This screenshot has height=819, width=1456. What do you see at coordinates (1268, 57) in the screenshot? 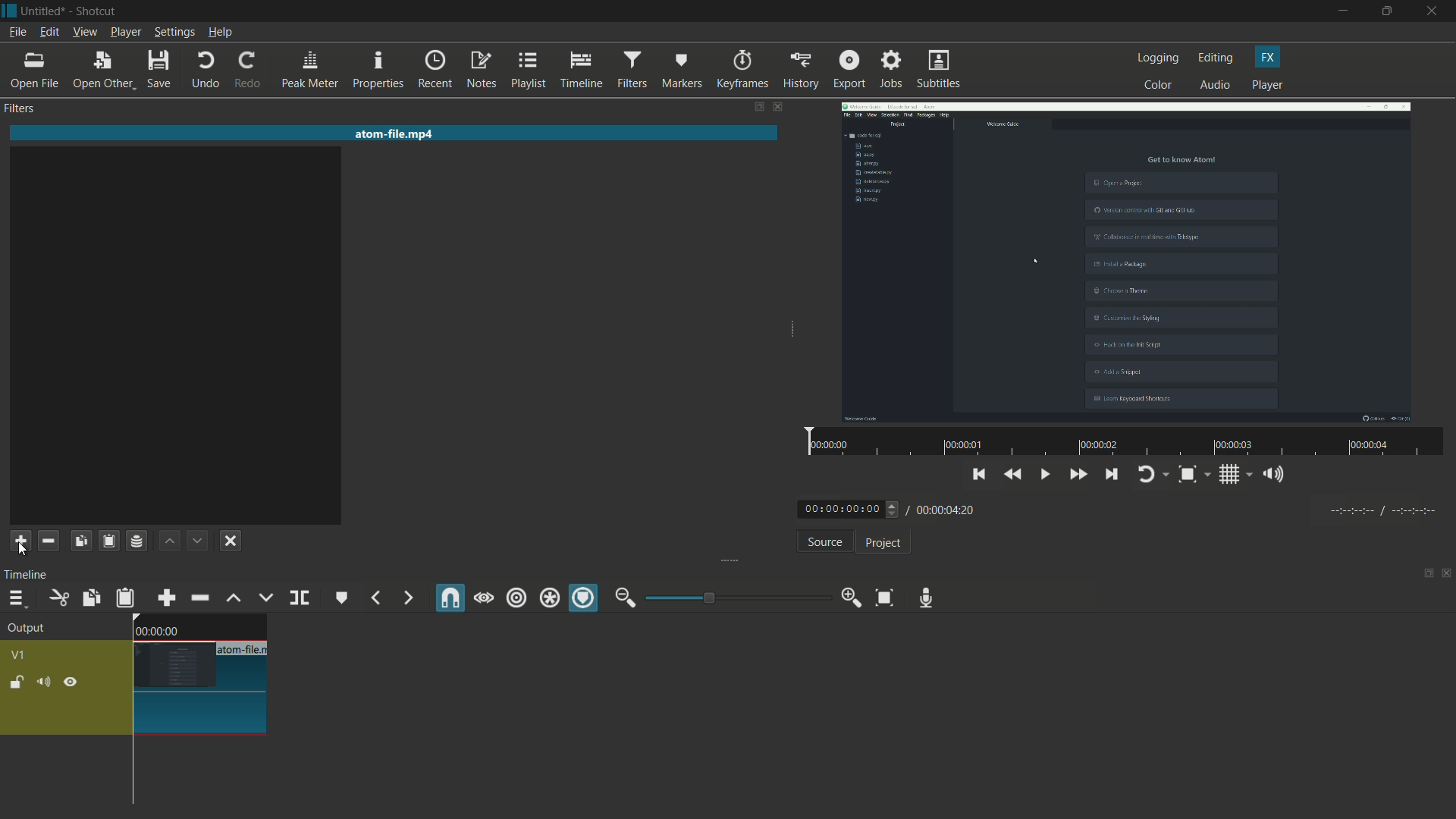
I see `fx` at bounding box center [1268, 57].